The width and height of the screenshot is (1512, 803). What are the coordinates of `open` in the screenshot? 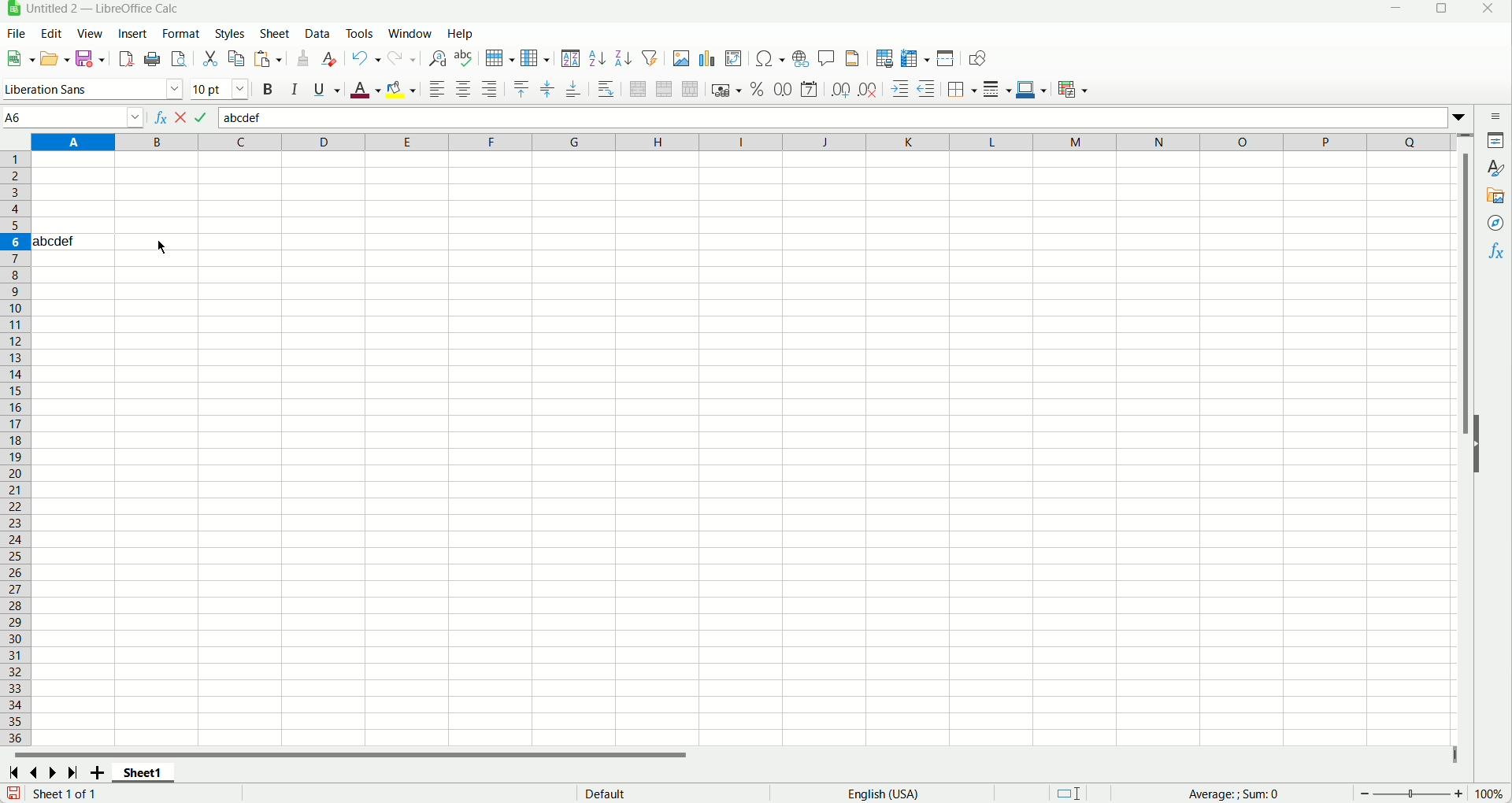 It's located at (20, 58).